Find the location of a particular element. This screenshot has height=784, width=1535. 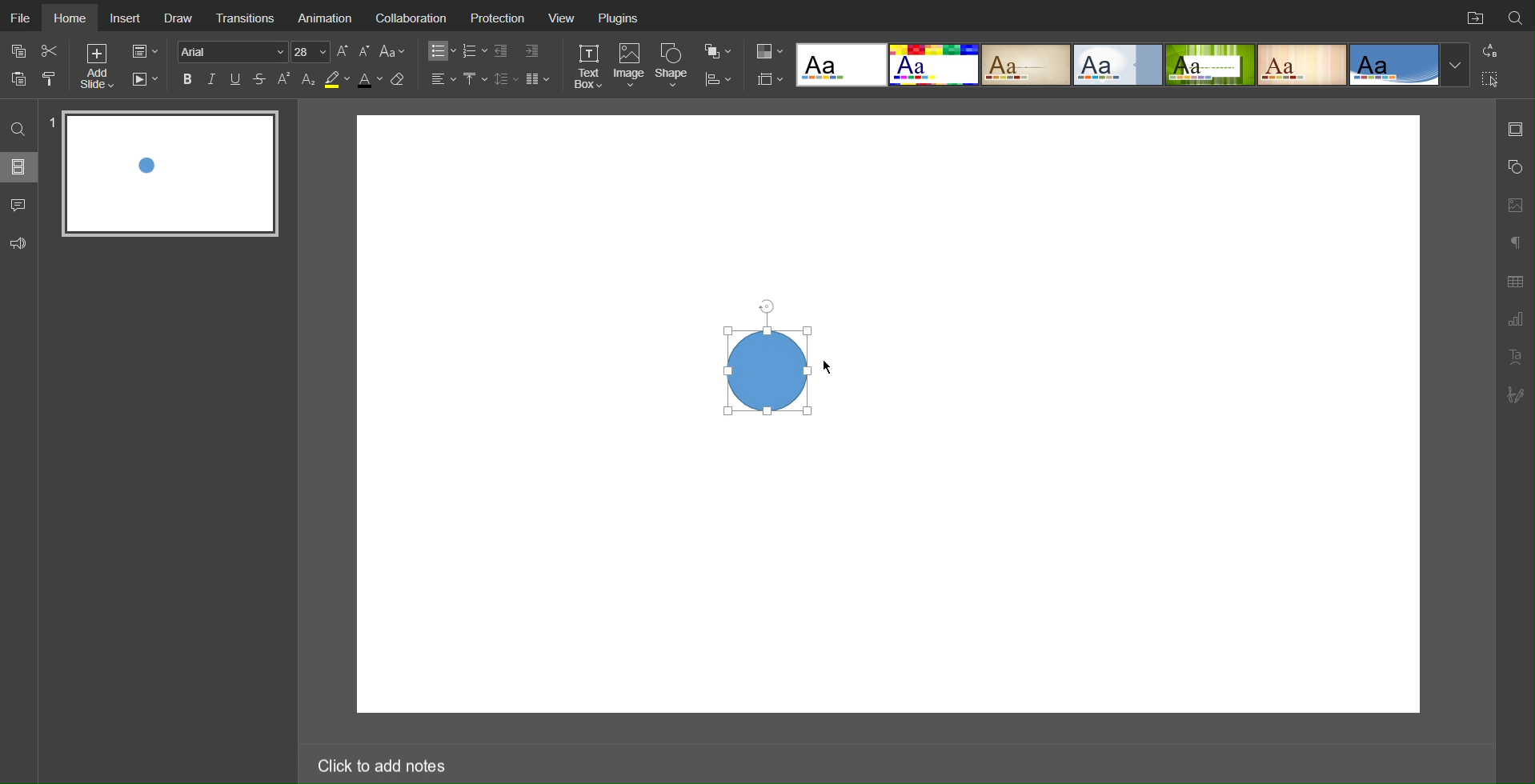

File is located at coordinates (19, 15).